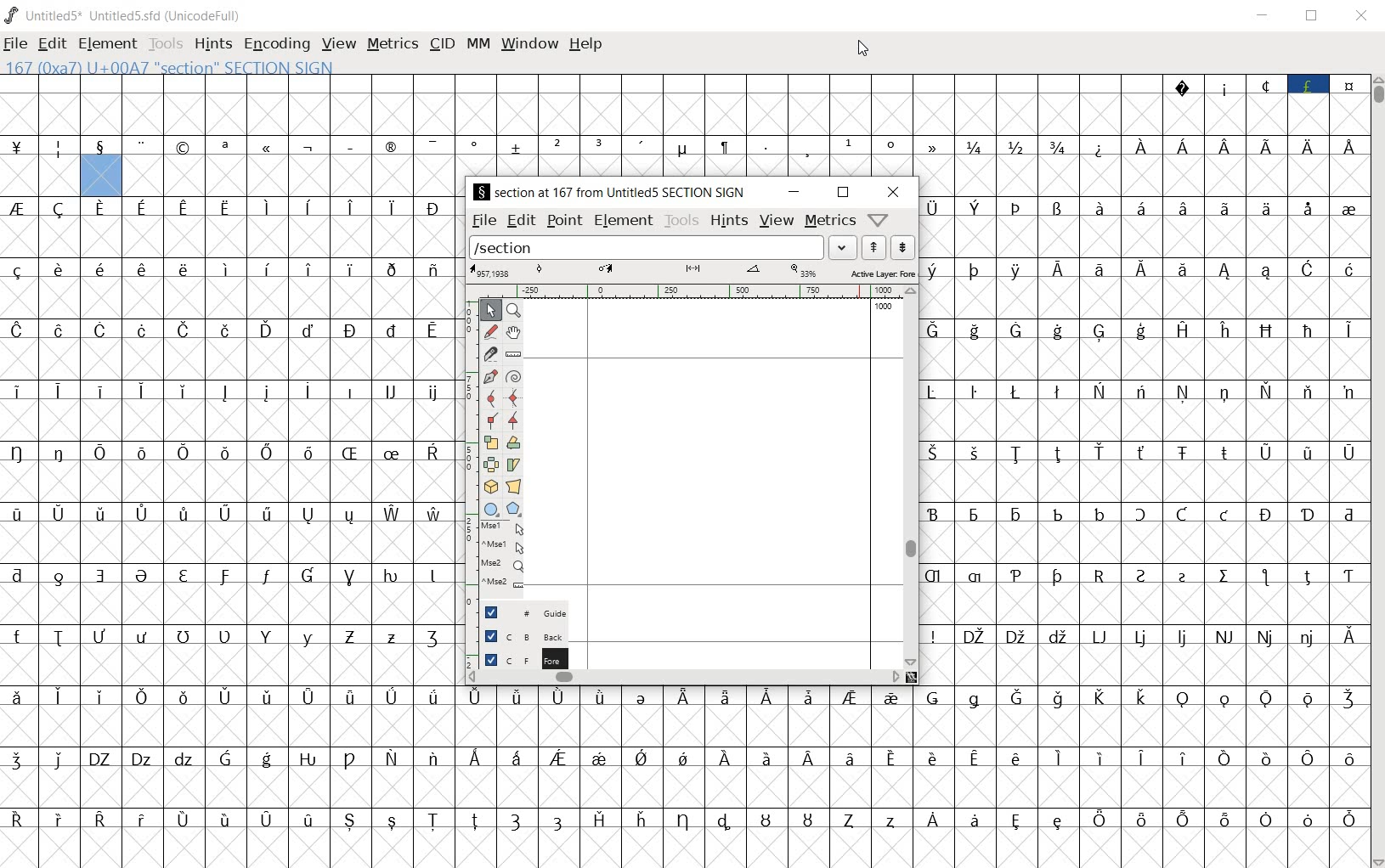 The image size is (1385, 868). Describe the element at coordinates (1377, 471) in the screenshot. I see `SCROLLBAR` at that location.